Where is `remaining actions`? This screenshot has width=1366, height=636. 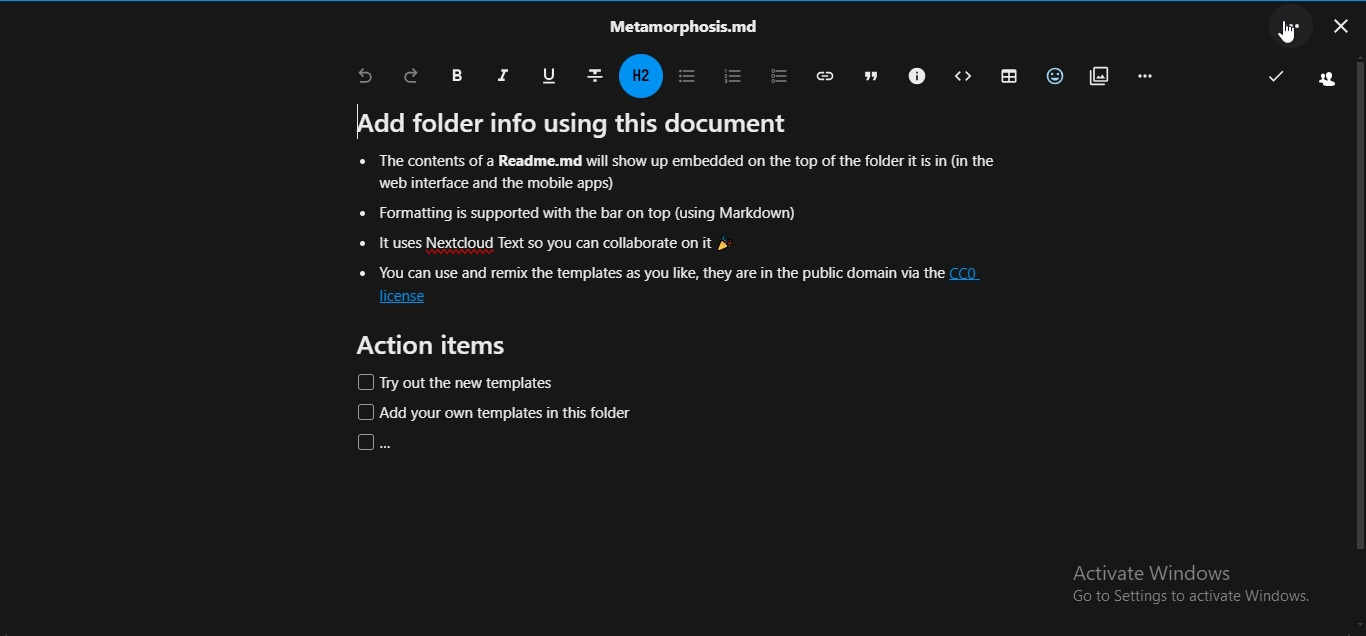 remaining actions is located at coordinates (1148, 77).